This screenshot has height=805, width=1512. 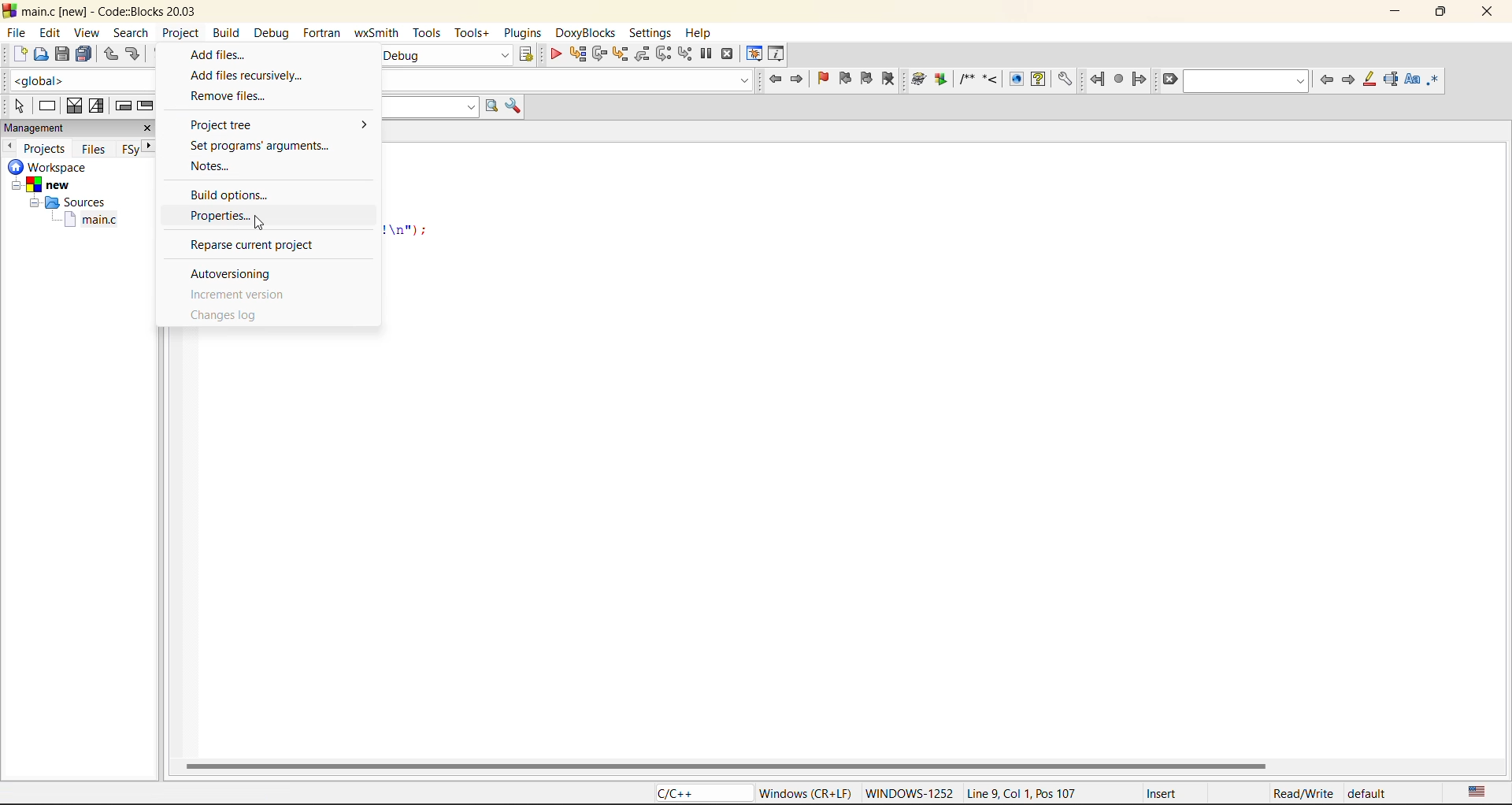 I want to click on plugins, so click(x=522, y=35).